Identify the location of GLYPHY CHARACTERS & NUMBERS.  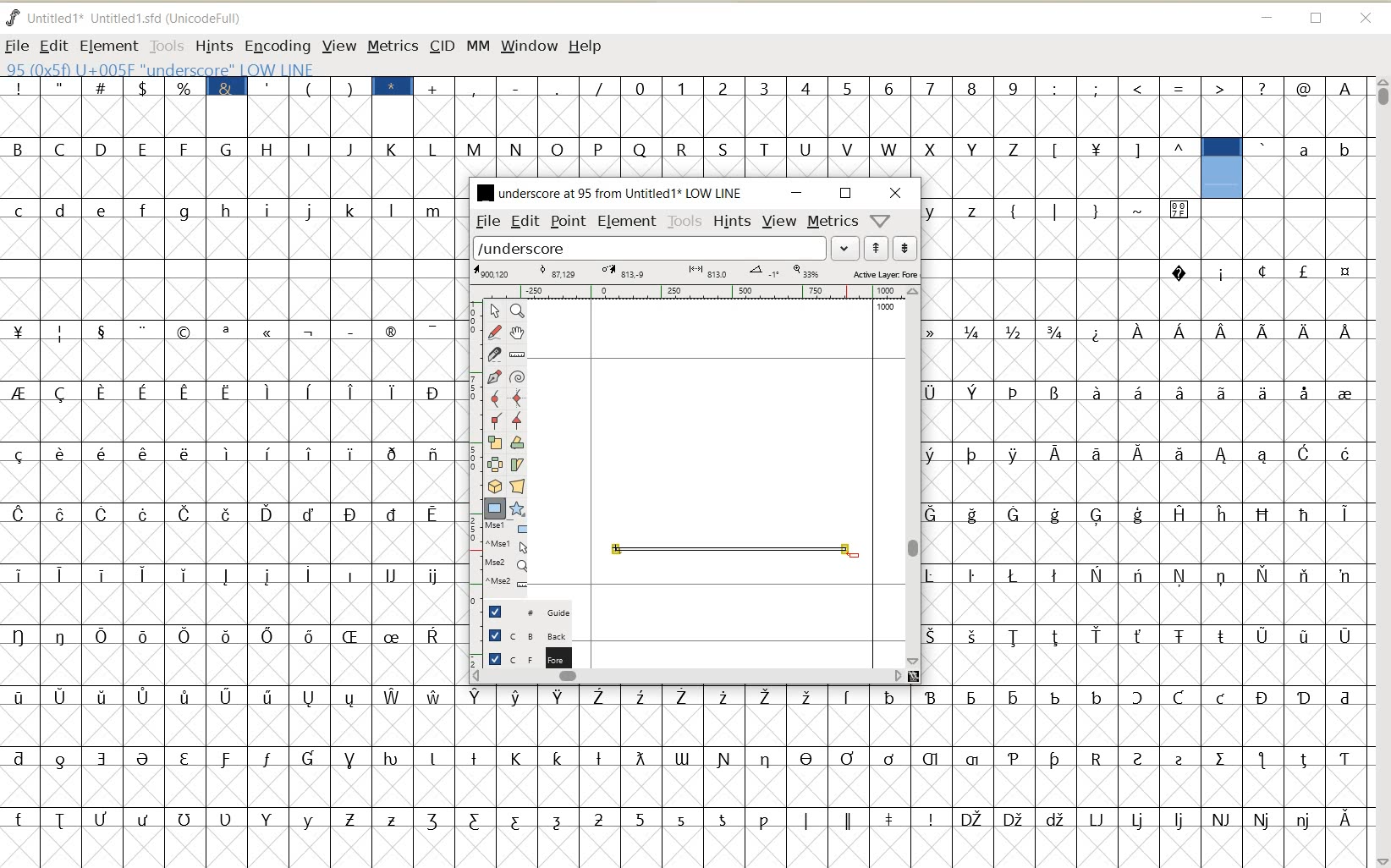
(688, 767).